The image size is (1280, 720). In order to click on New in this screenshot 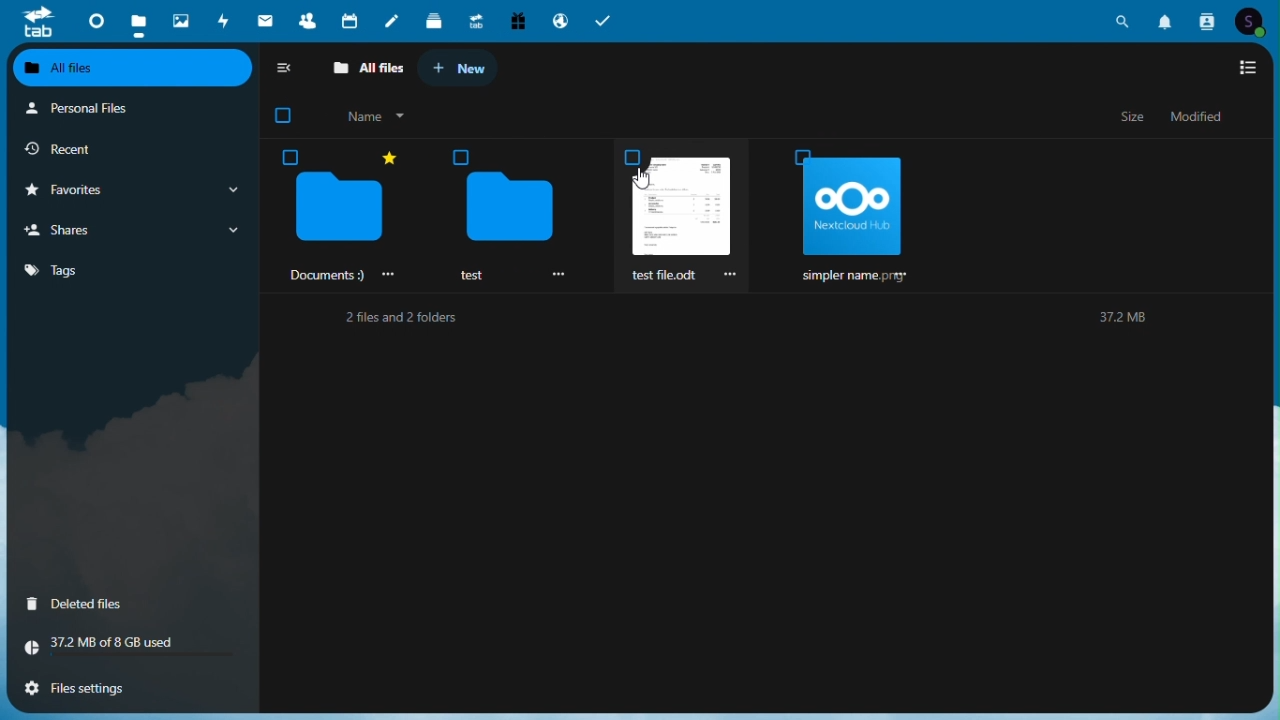, I will do `click(465, 66)`.